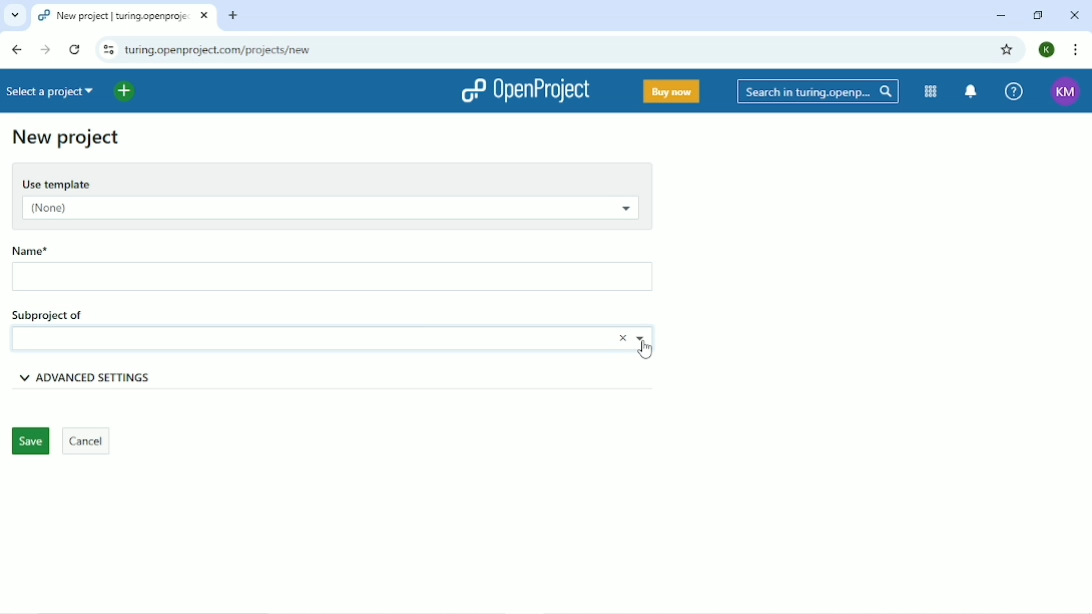 This screenshot has width=1092, height=614. Describe the element at coordinates (66, 139) in the screenshot. I see `New project` at that location.